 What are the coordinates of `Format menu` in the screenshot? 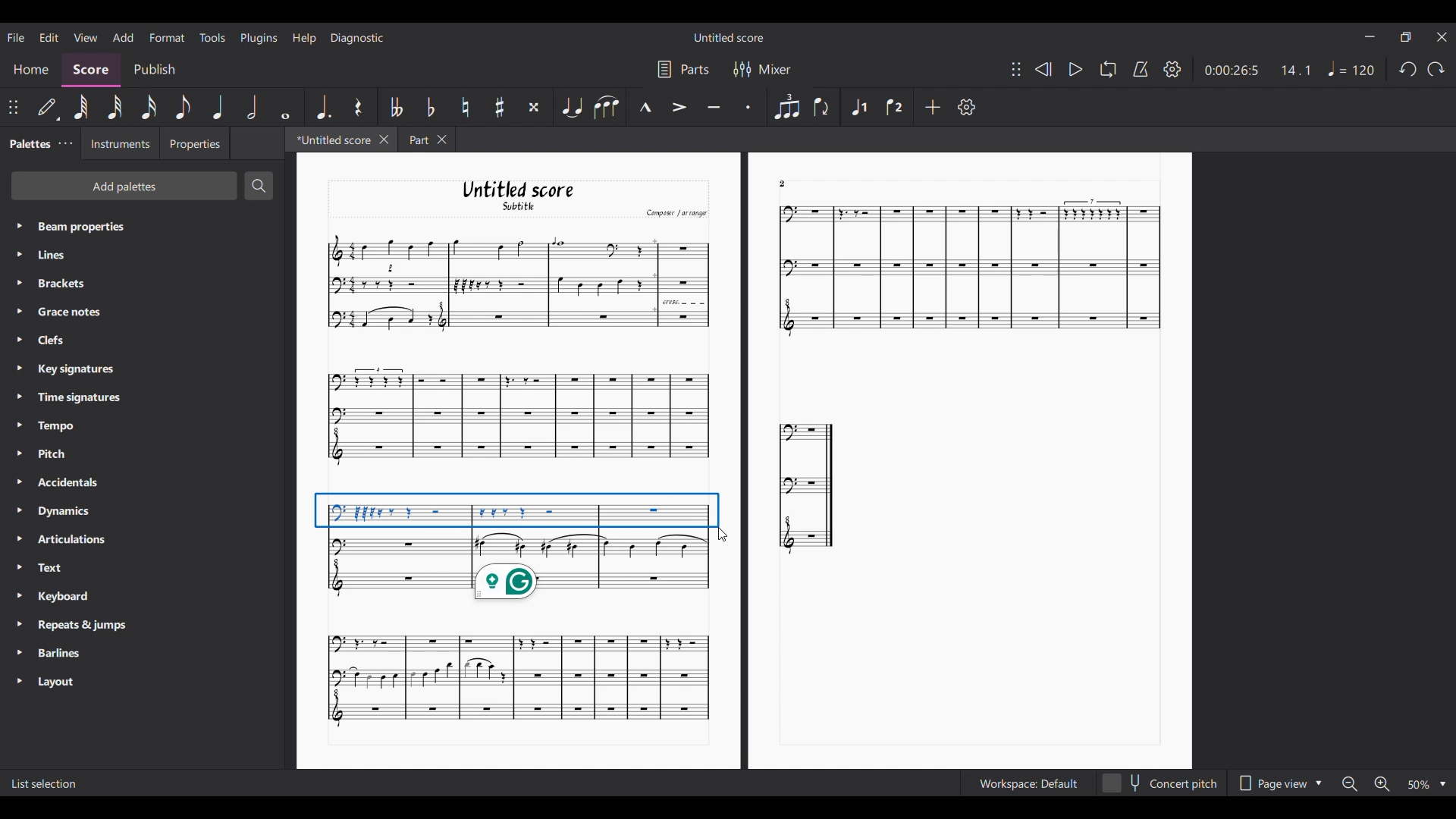 It's located at (167, 38).